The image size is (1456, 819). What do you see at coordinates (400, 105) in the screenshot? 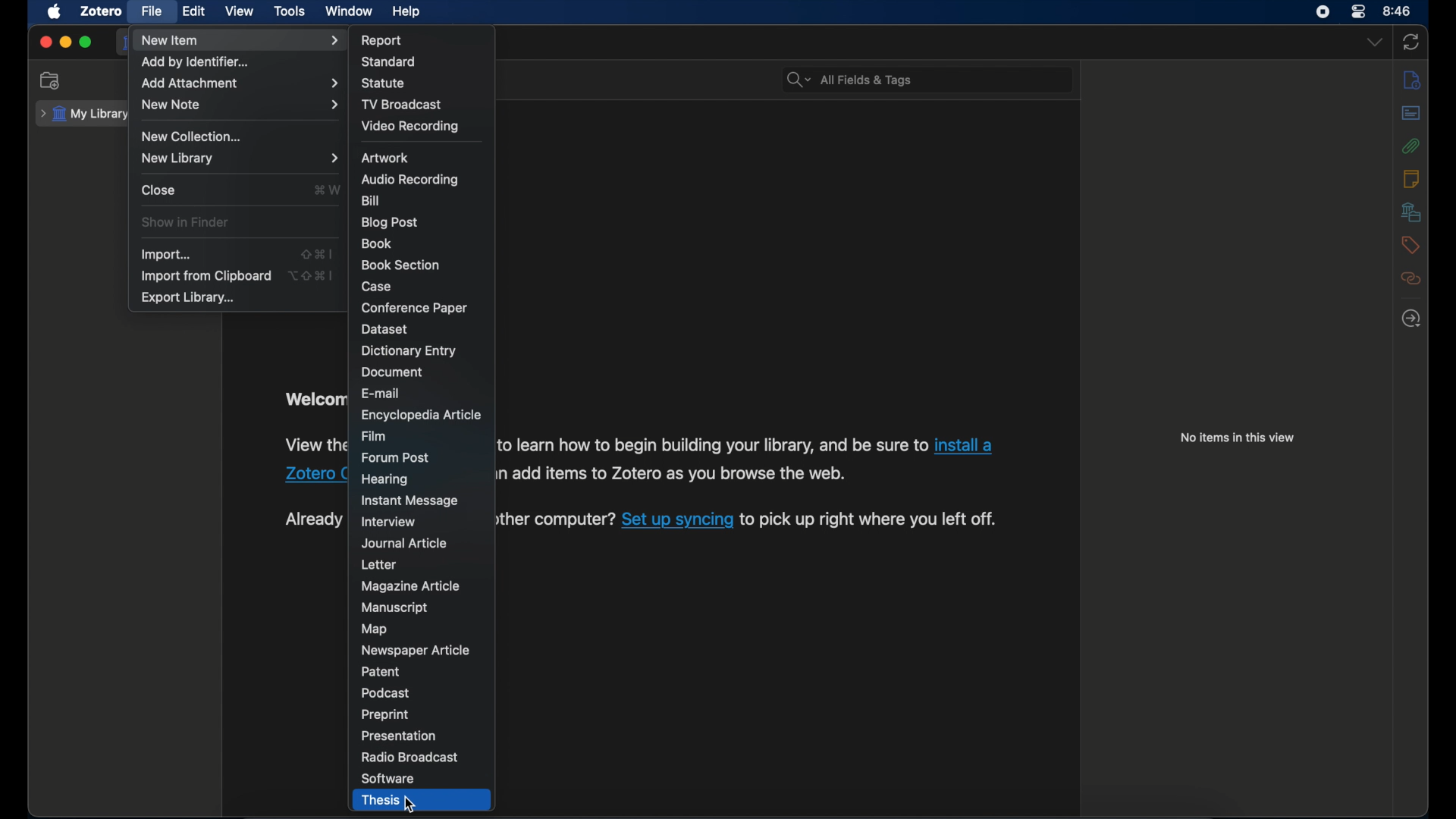
I see `tv broadcast` at bounding box center [400, 105].